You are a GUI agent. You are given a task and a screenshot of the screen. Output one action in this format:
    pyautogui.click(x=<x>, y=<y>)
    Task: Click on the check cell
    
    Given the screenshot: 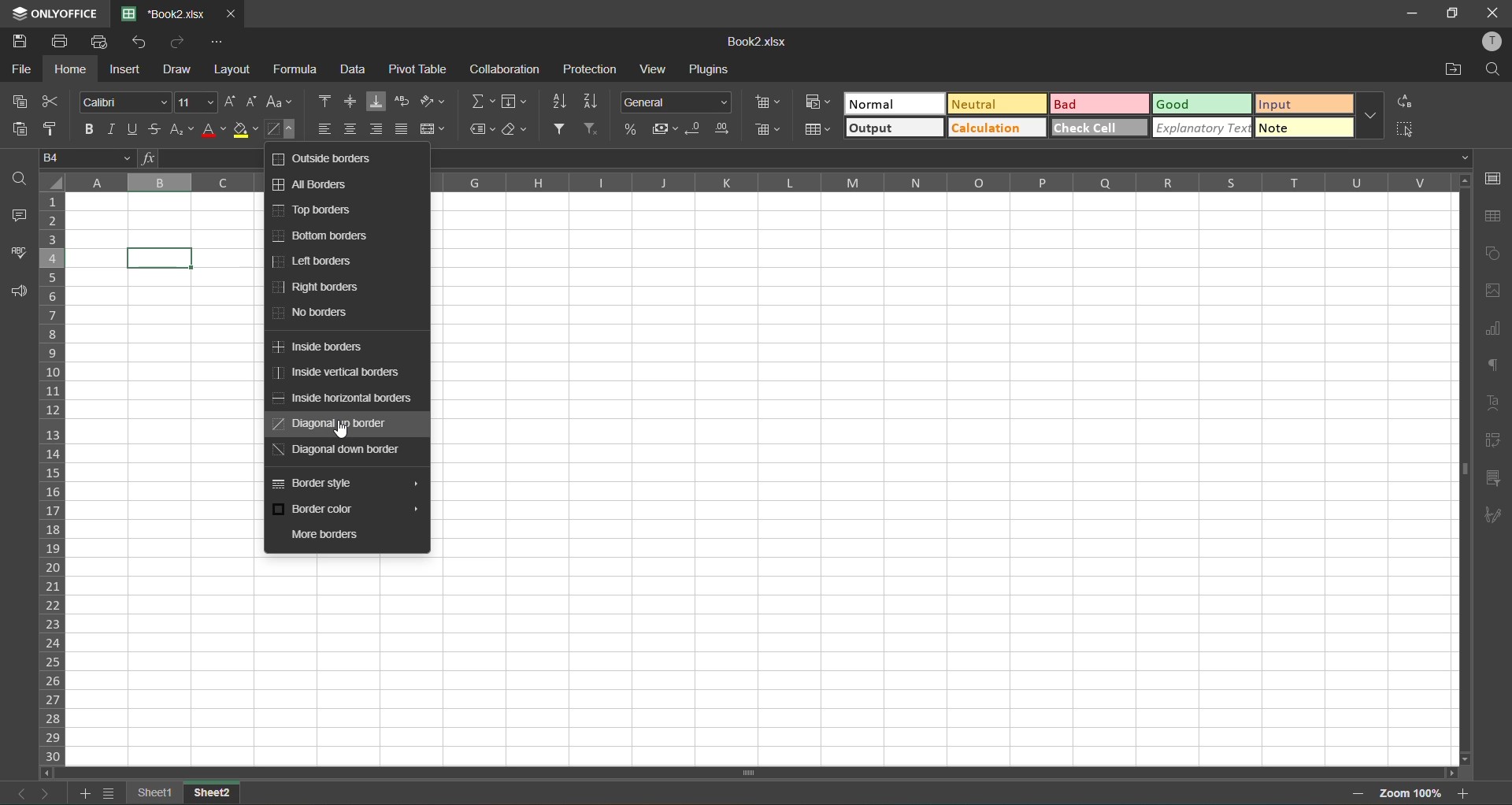 What is the action you would take?
    pyautogui.click(x=1102, y=128)
    